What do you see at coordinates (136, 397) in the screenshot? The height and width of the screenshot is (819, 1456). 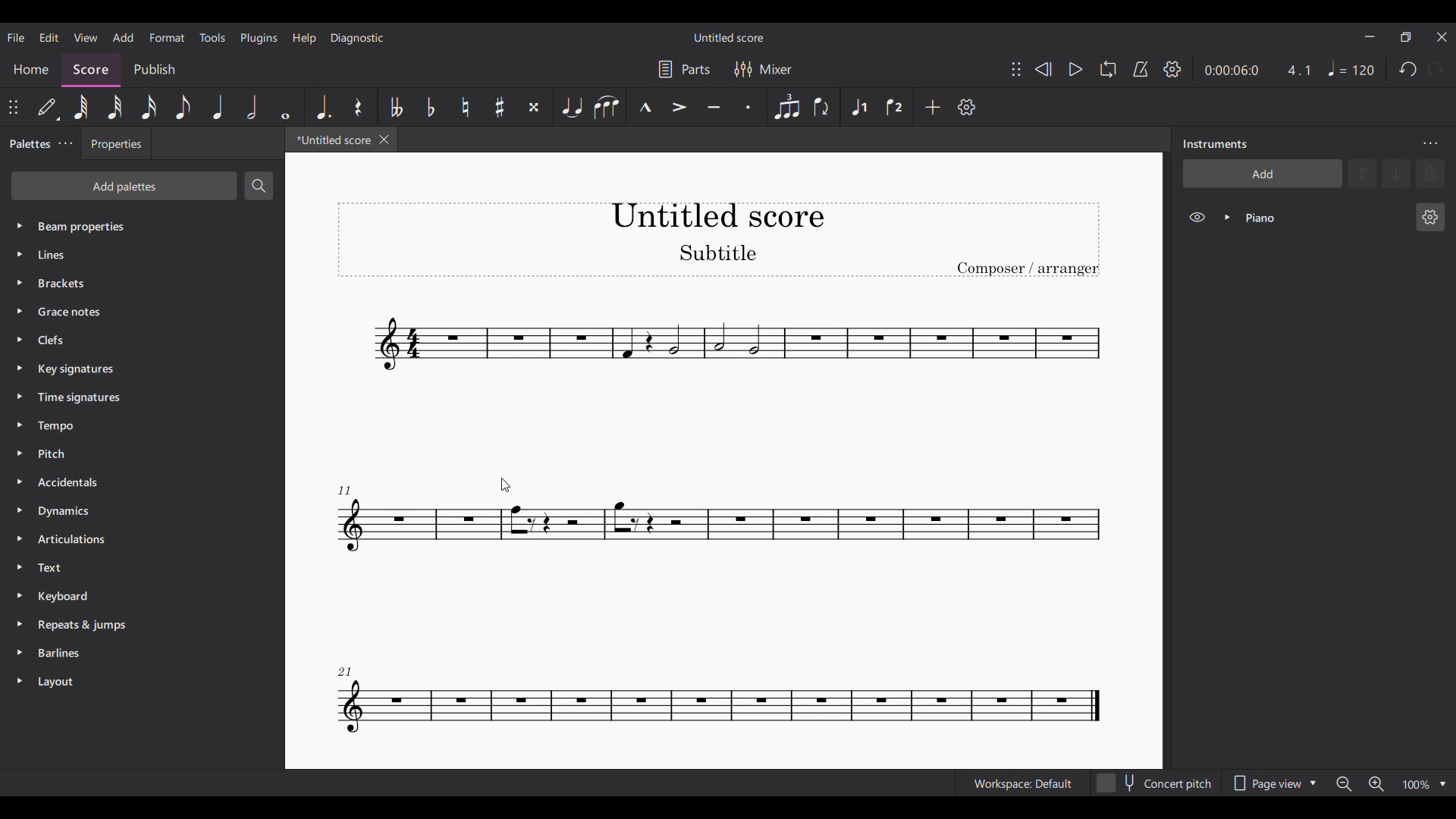 I see `Time signatures` at bounding box center [136, 397].